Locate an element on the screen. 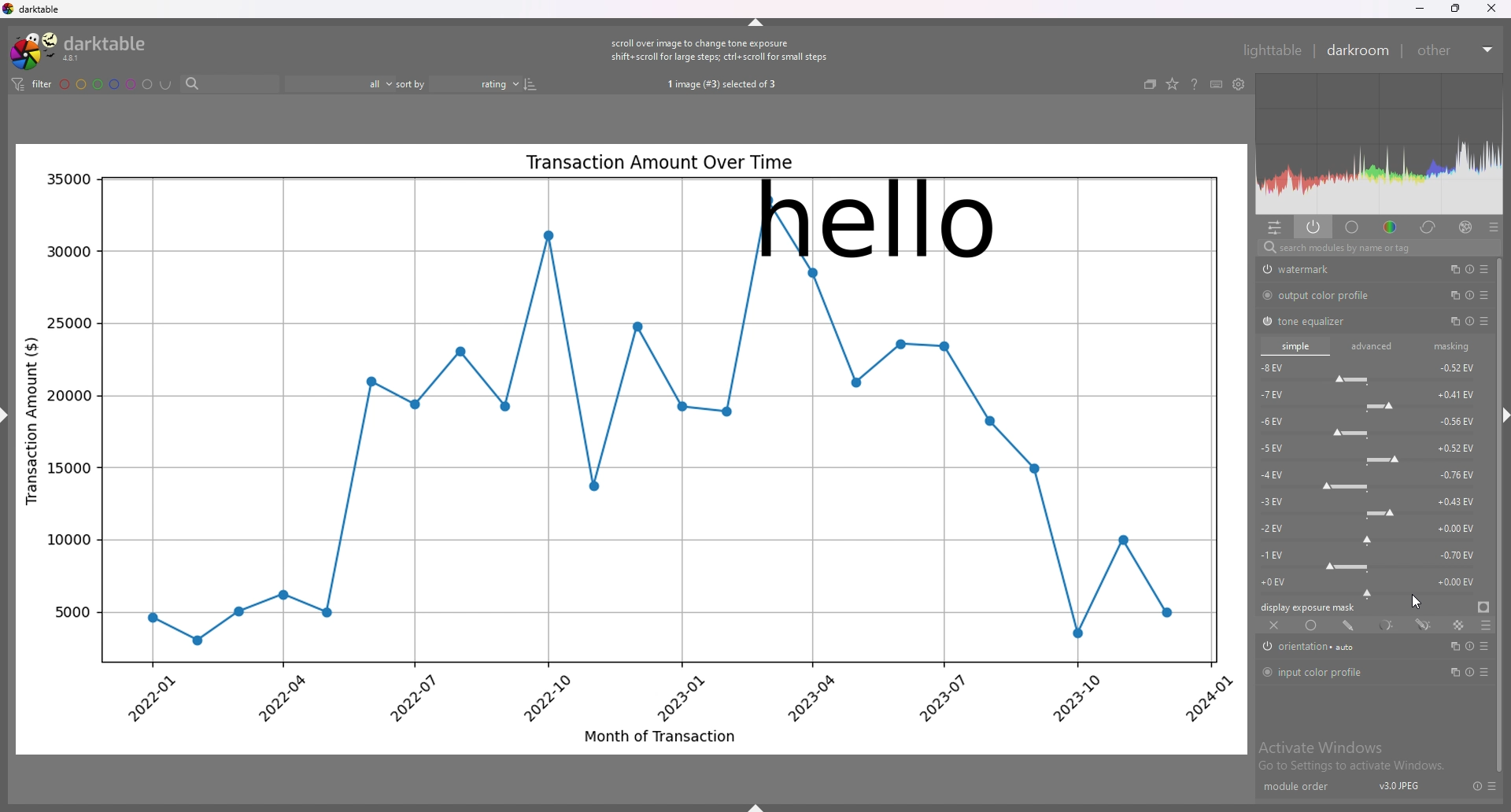 The image size is (1511, 812). darkroom is located at coordinates (1359, 51).